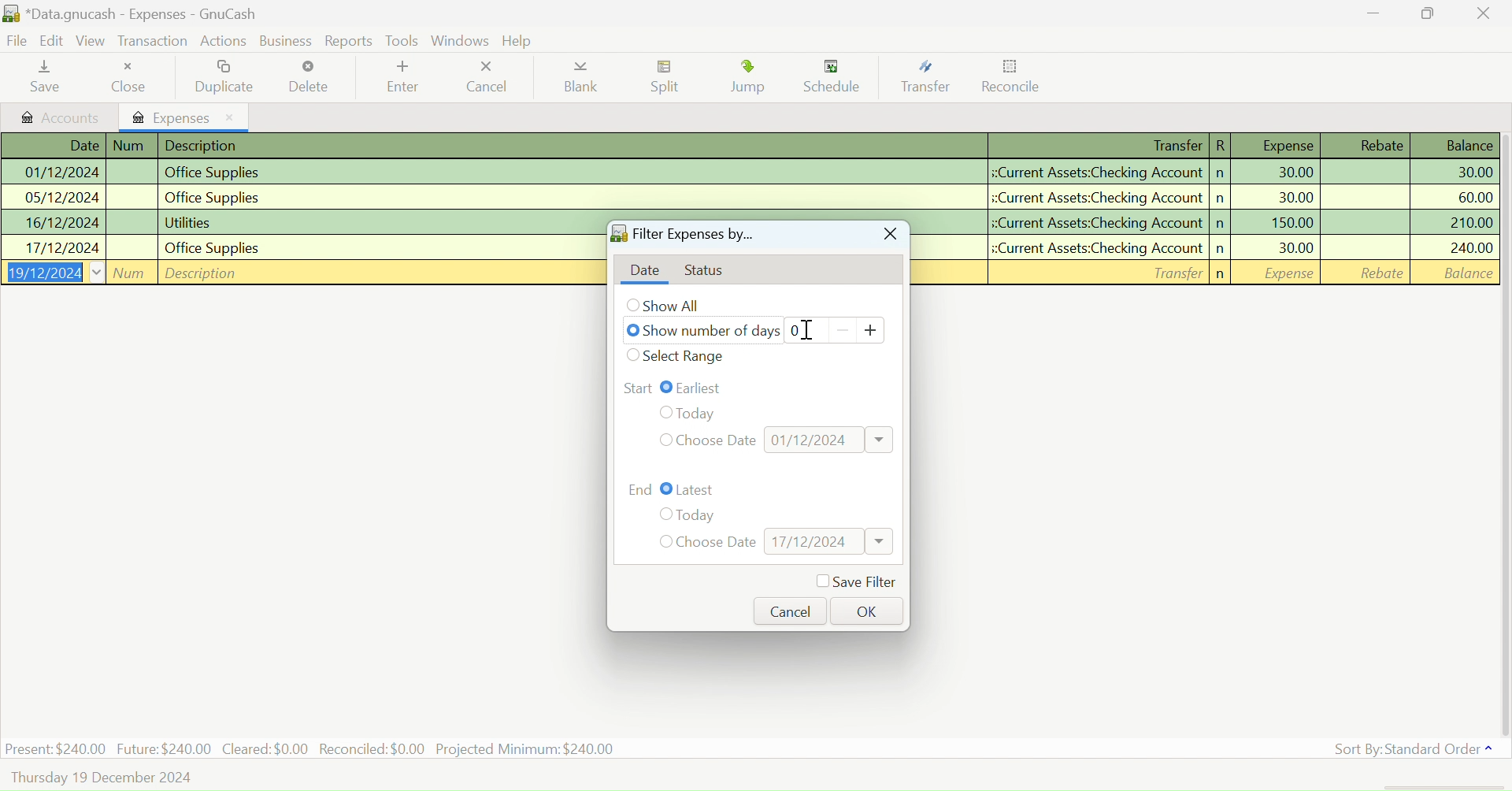  What do you see at coordinates (581, 80) in the screenshot?
I see `Blank` at bounding box center [581, 80].